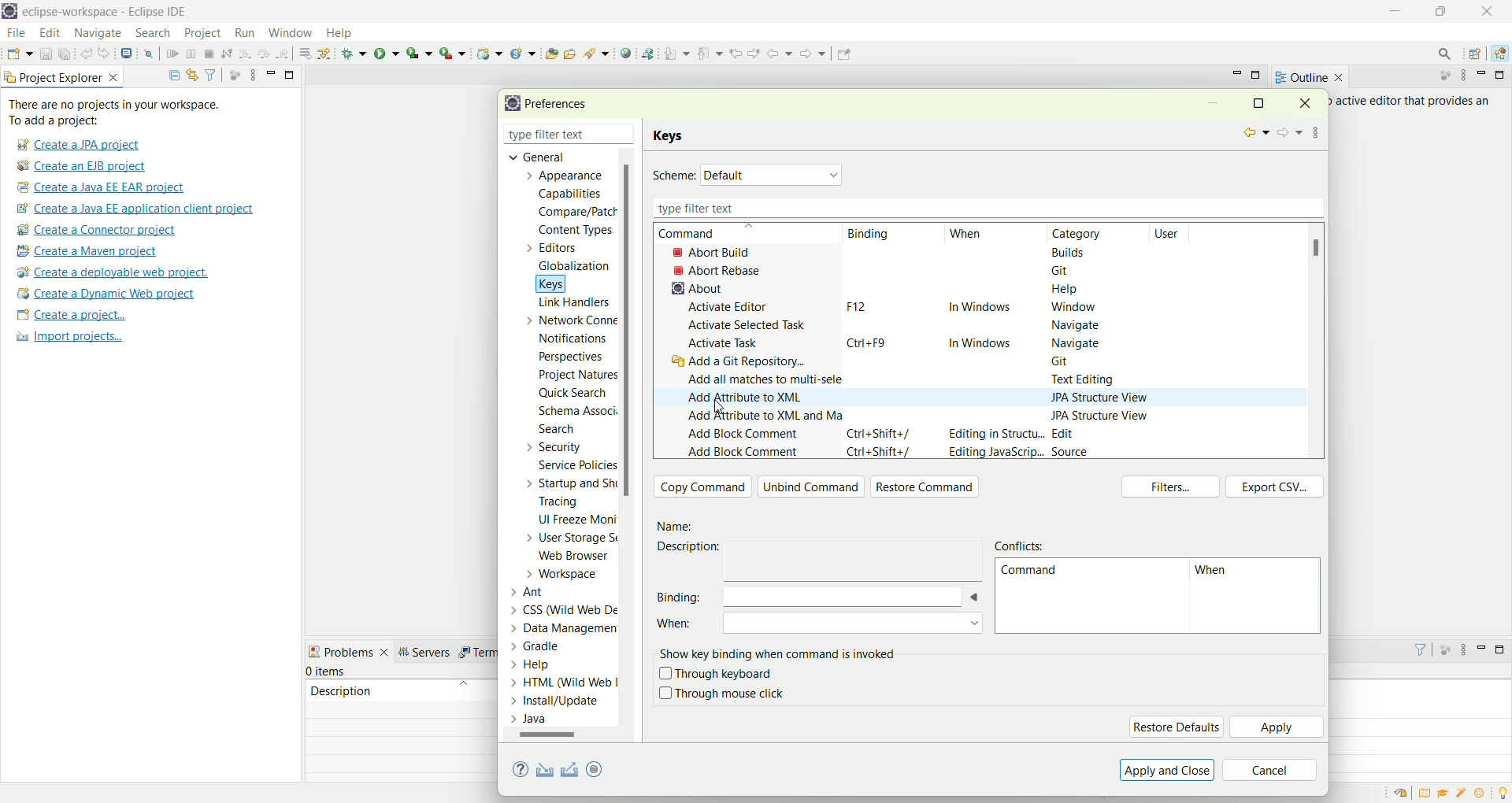 This screenshot has height=803, width=1512. What do you see at coordinates (734, 406) in the screenshot?
I see `Cursor` at bounding box center [734, 406].